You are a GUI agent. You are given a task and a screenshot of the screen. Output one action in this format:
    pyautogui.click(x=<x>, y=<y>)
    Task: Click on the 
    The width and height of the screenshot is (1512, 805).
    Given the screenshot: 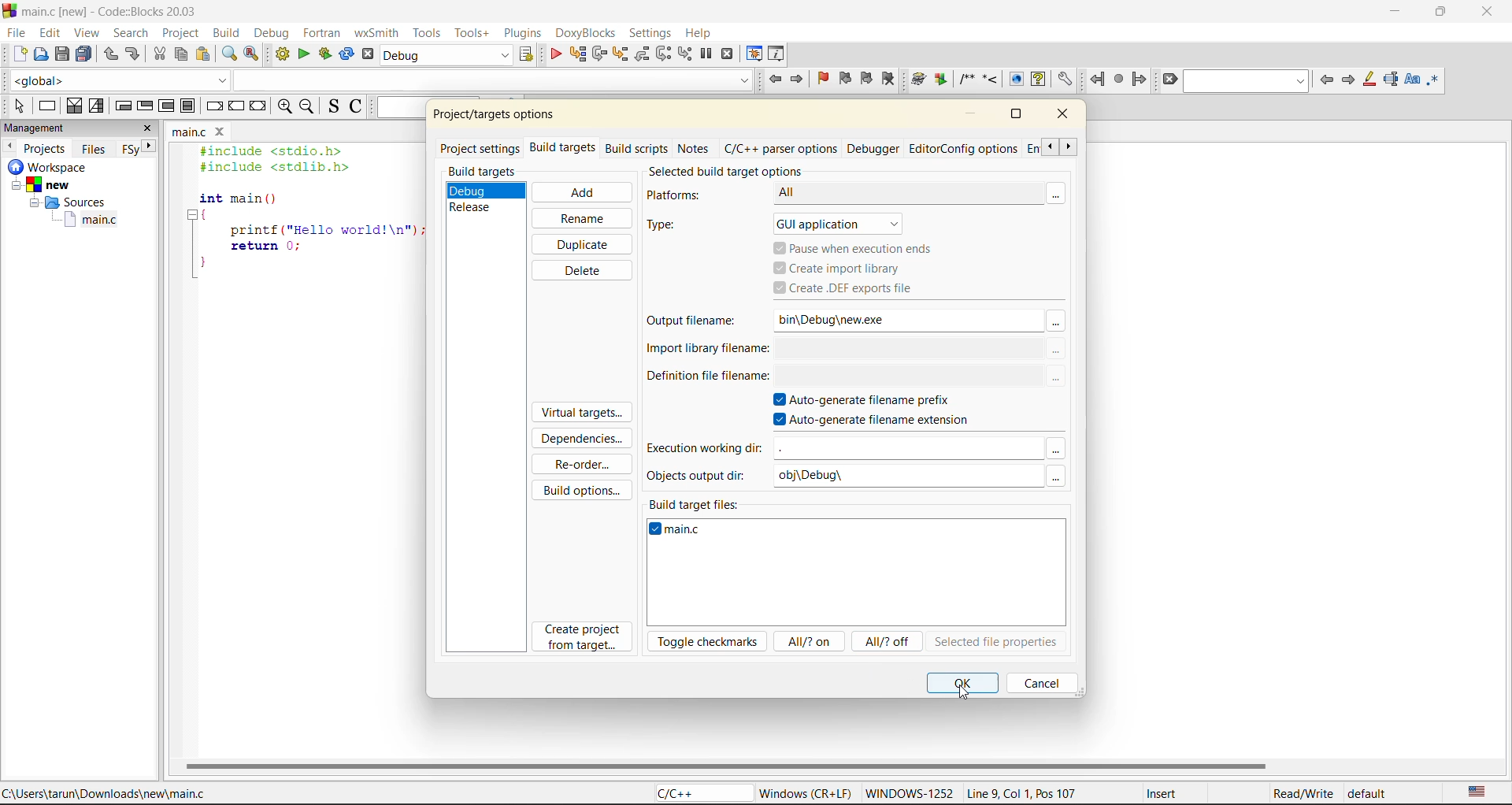 What is the action you would take?
    pyautogui.click(x=892, y=224)
    